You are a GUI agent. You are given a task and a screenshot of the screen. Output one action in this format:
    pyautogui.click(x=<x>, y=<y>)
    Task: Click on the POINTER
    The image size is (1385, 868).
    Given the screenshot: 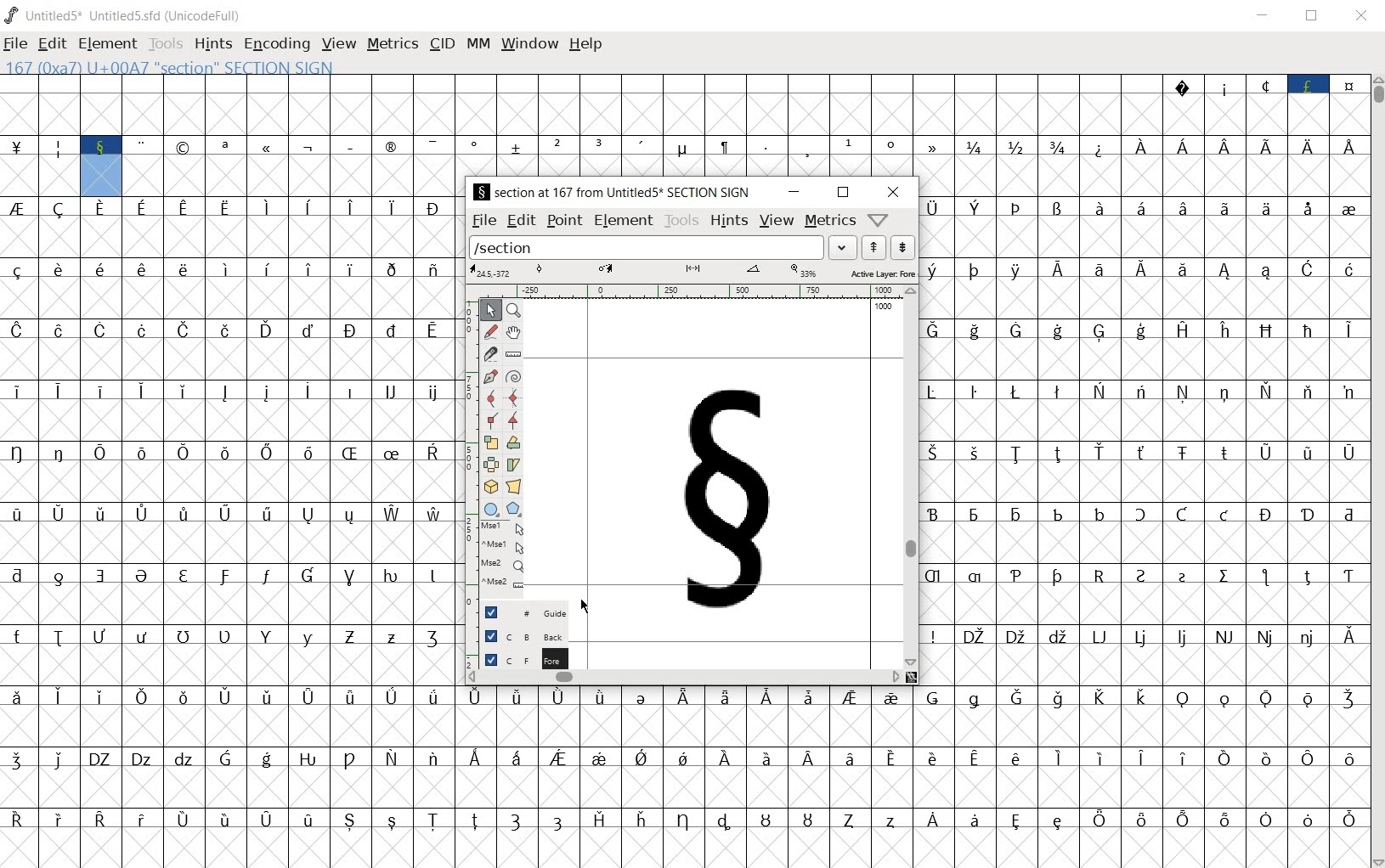 What is the action you would take?
    pyautogui.click(x=490, y=310)
    